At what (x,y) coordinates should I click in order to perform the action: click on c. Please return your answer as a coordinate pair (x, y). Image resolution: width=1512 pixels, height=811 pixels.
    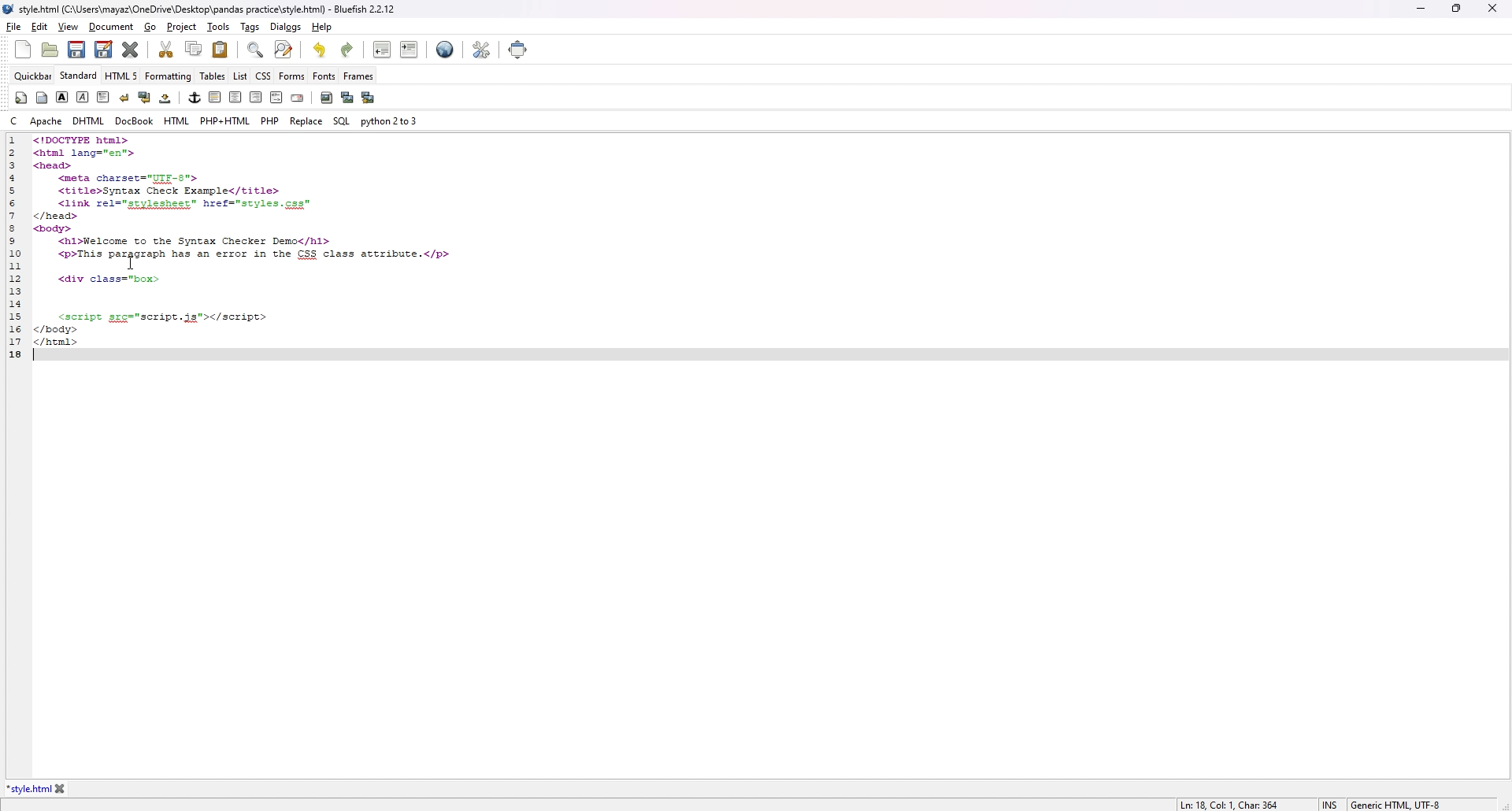
    Looking at the image, I should click on (17, 119).